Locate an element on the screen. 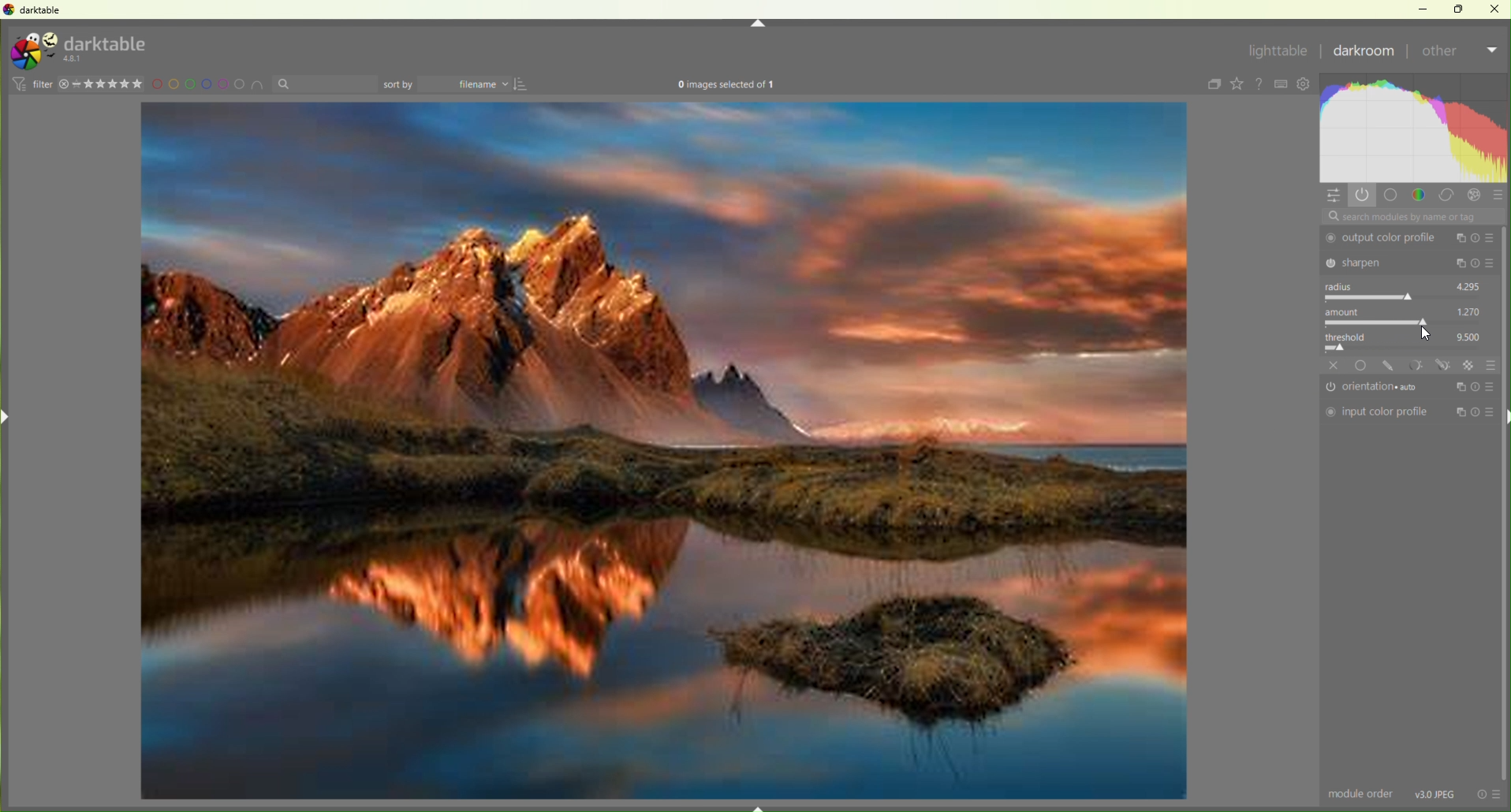 This screenshot has height=812, width=1511. range rating is located at coordinates (111, 84).